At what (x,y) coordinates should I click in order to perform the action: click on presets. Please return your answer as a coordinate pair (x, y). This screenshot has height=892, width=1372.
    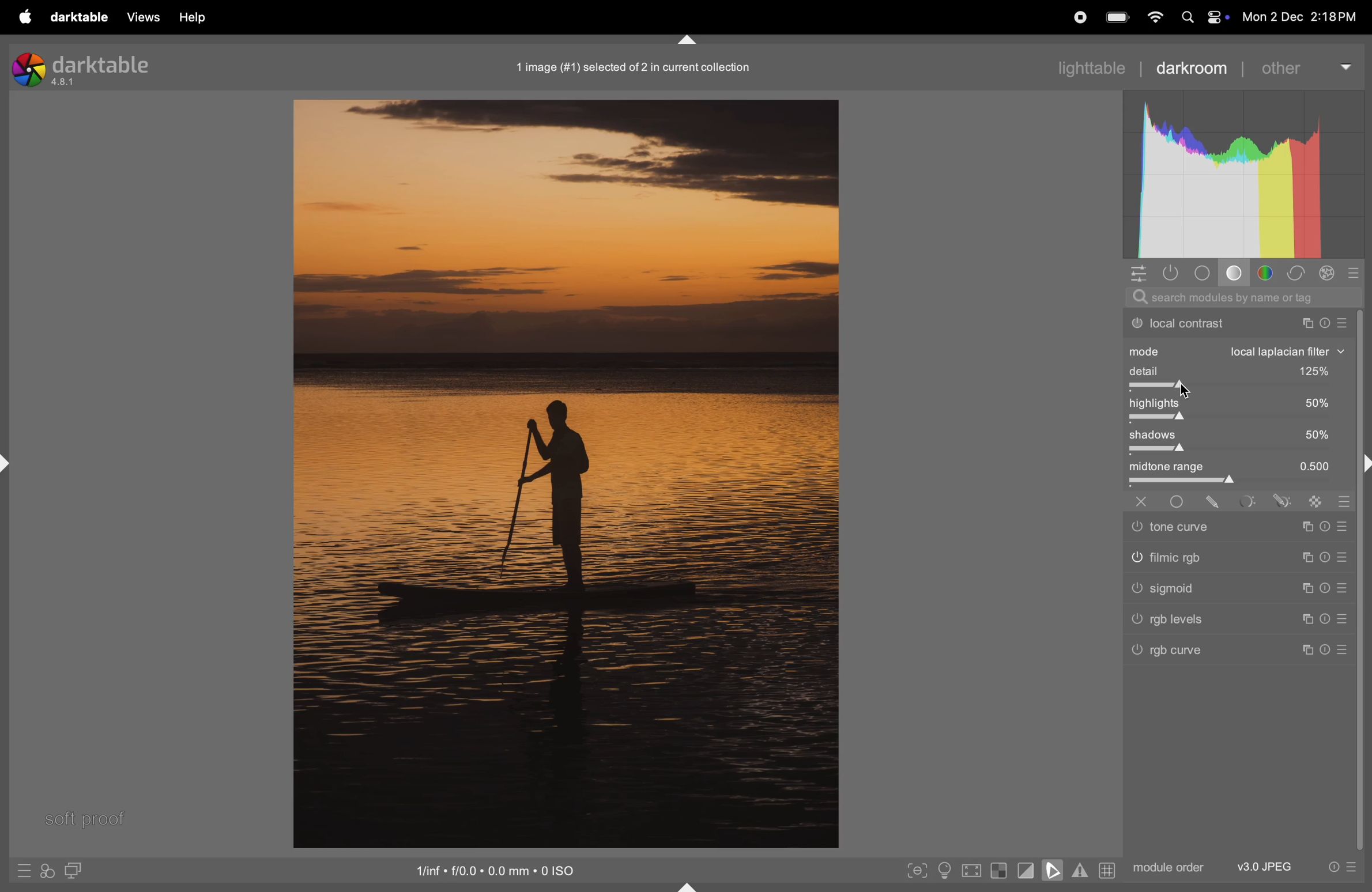
    Looking at the image, I should click on (1355, 273).